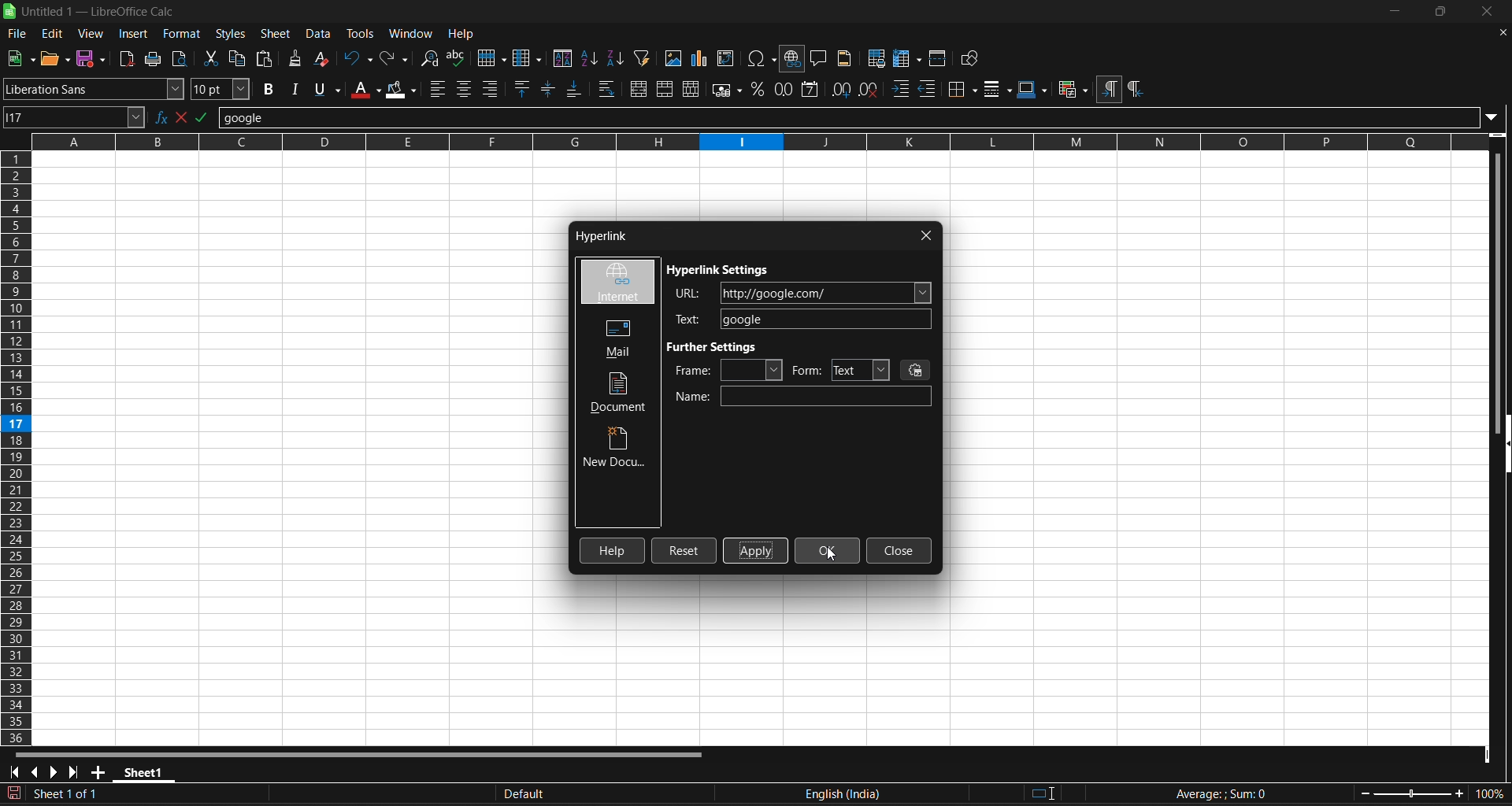  Describe the element at coordinates (802, 319) in the screenshot. I see `typed google in the text field` at that location.